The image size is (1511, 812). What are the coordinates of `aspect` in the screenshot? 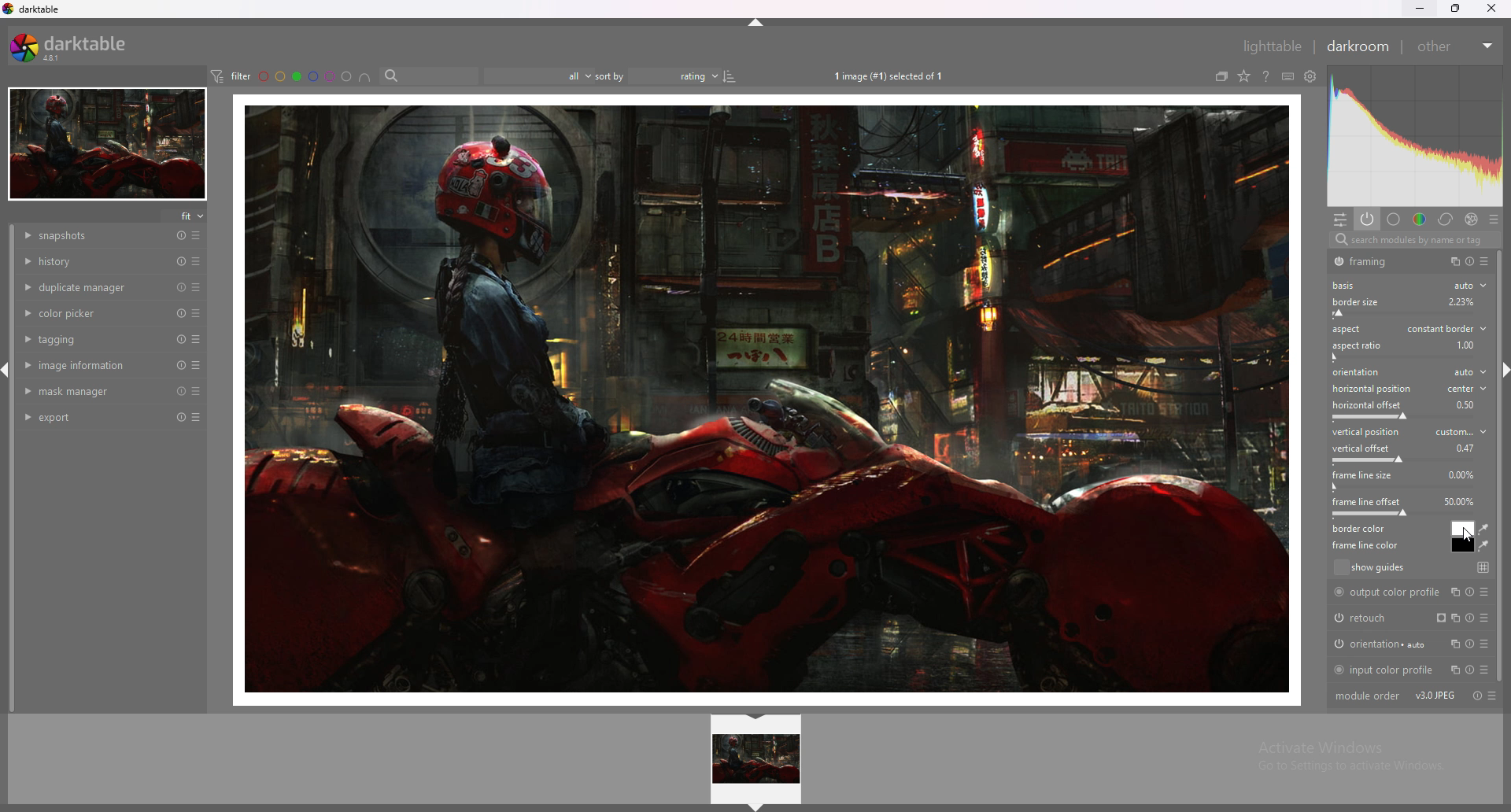 It's located at (1346, 329).